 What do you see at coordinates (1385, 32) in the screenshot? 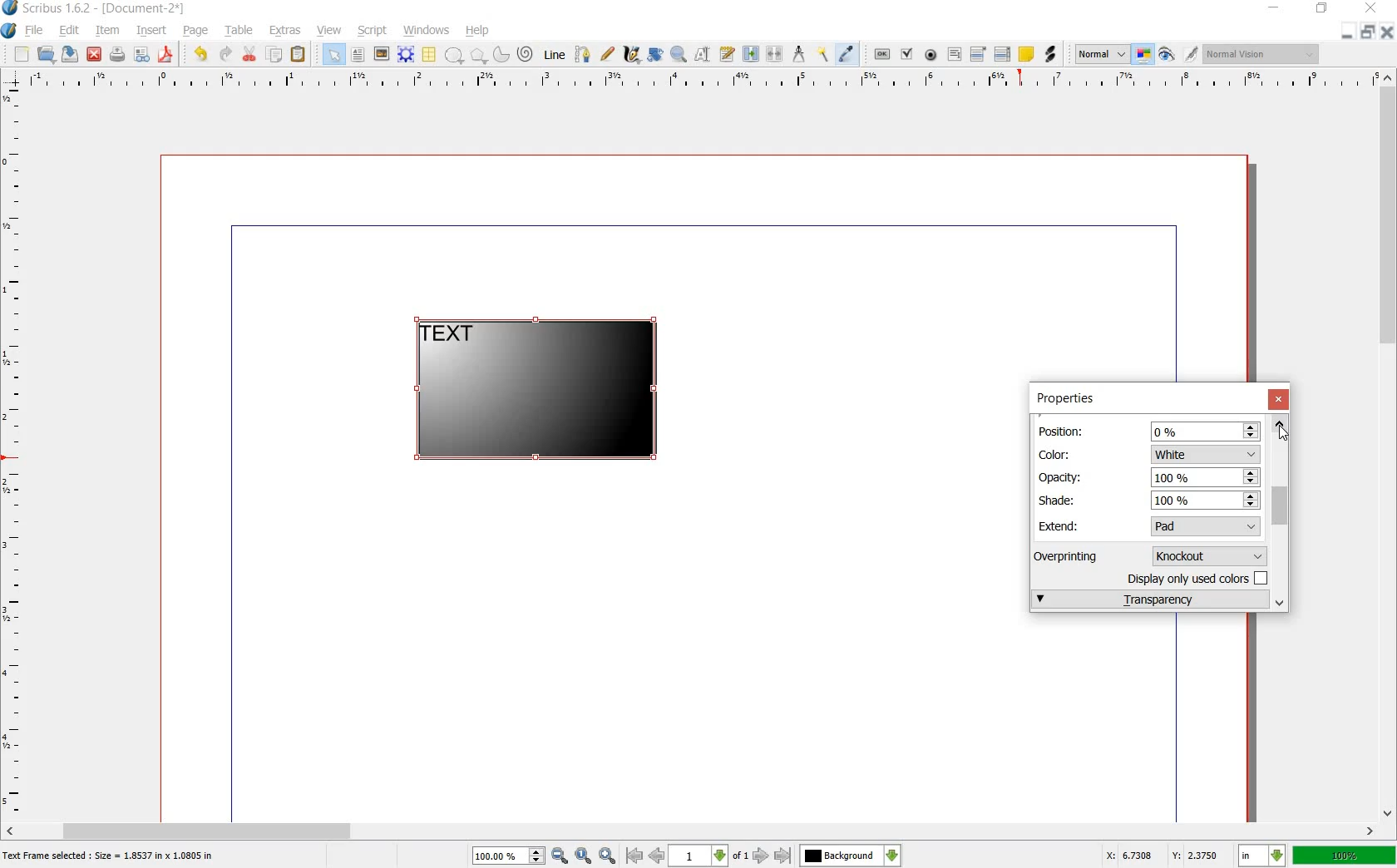
I see `close` at bounding box center [1385, 32].